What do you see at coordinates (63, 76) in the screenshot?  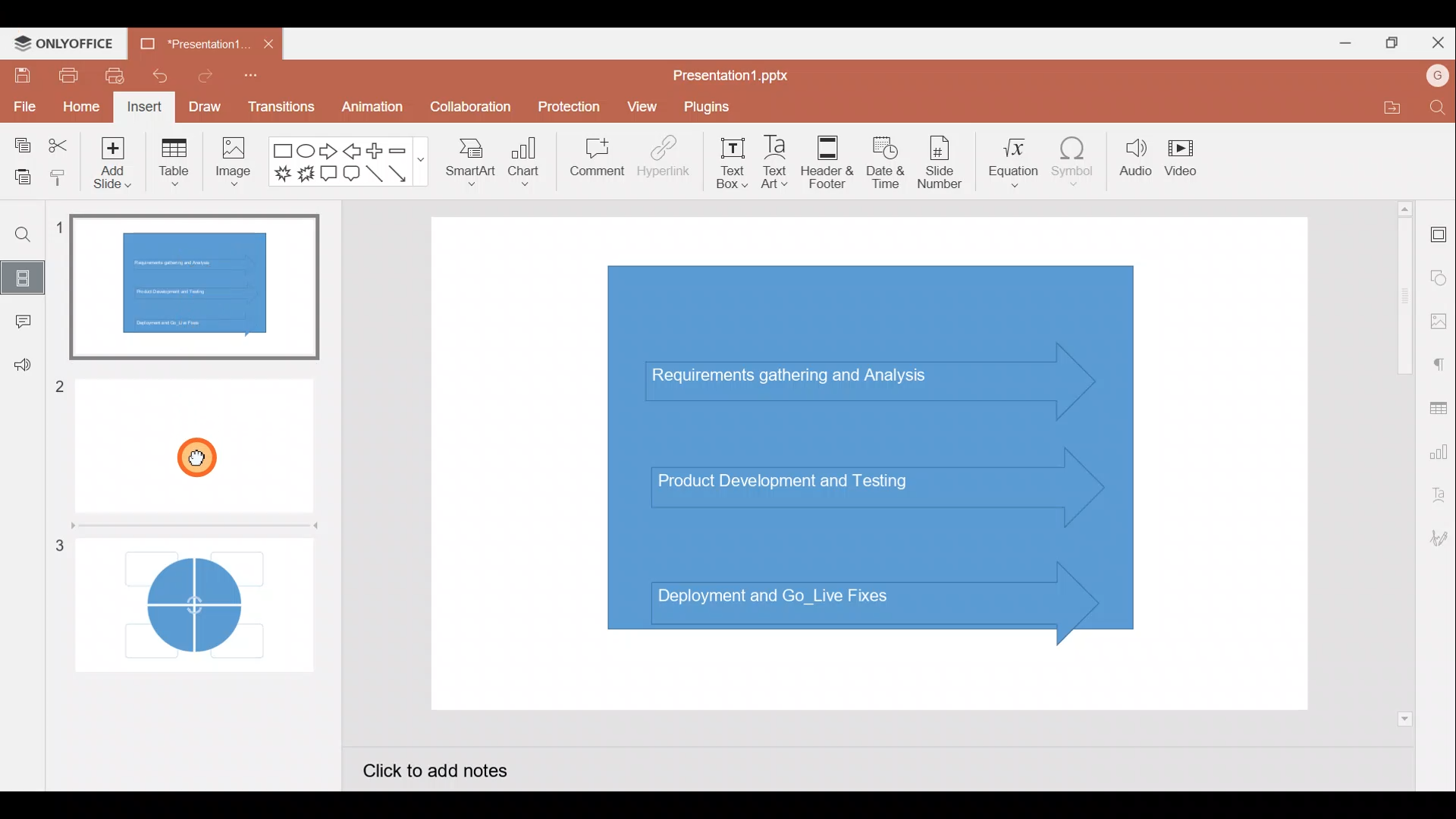 I see `Print file` at bounding box center [63, 76].